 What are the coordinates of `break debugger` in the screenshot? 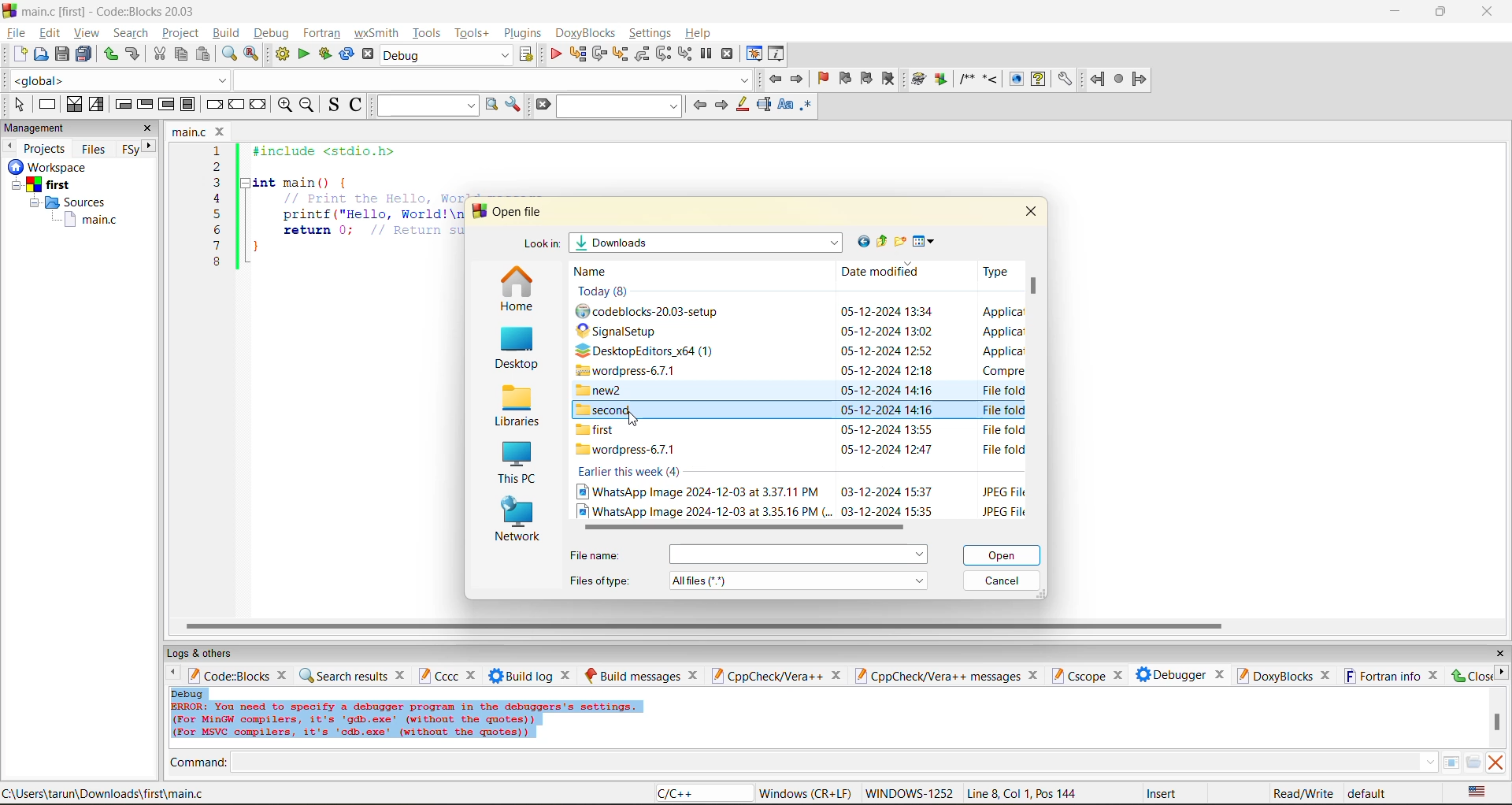 It's located at (706, 54).